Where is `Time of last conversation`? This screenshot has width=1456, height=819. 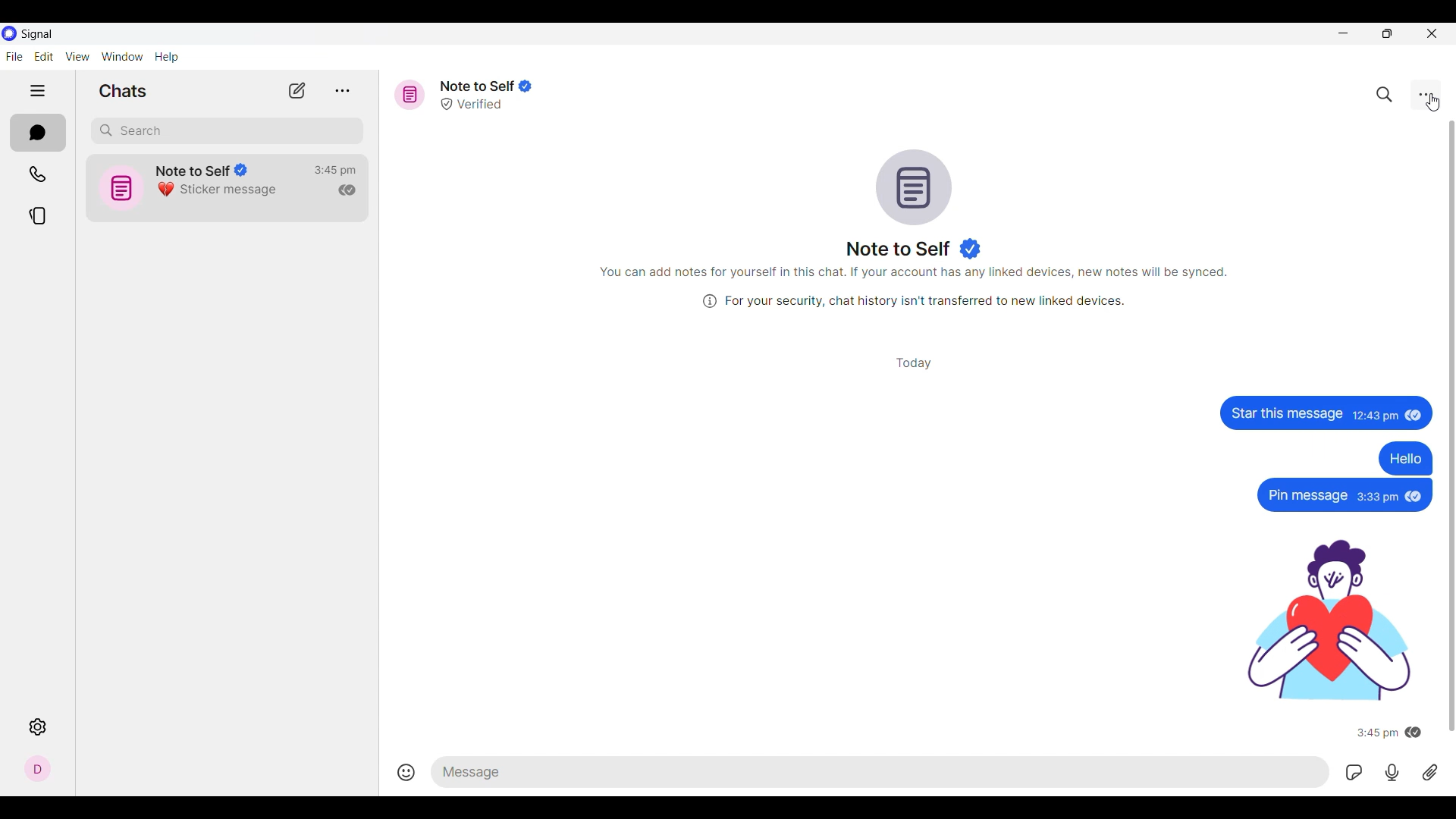
Time of last conversation is located at coordinates (334, 171).